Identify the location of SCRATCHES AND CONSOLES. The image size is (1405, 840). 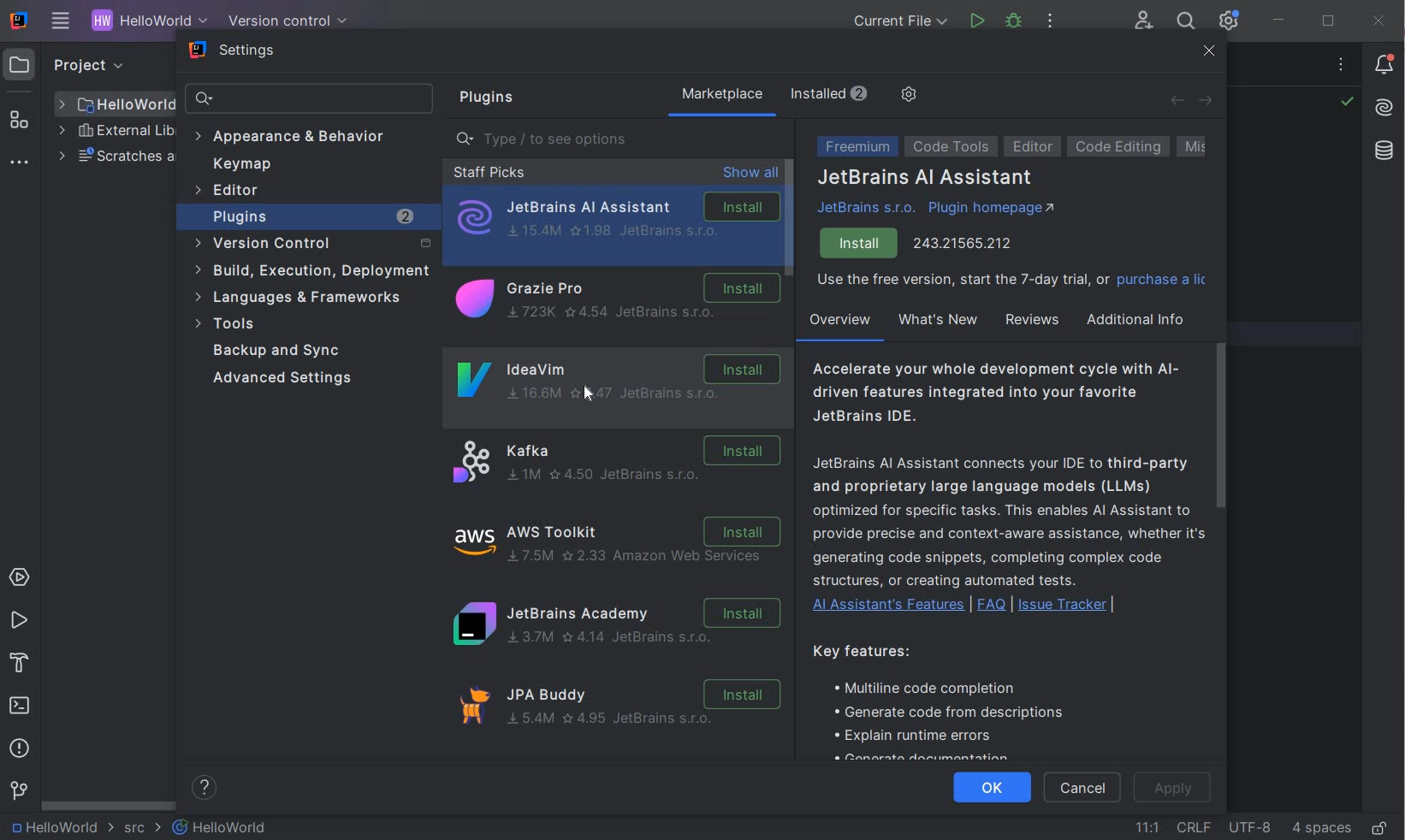
(115, 157).